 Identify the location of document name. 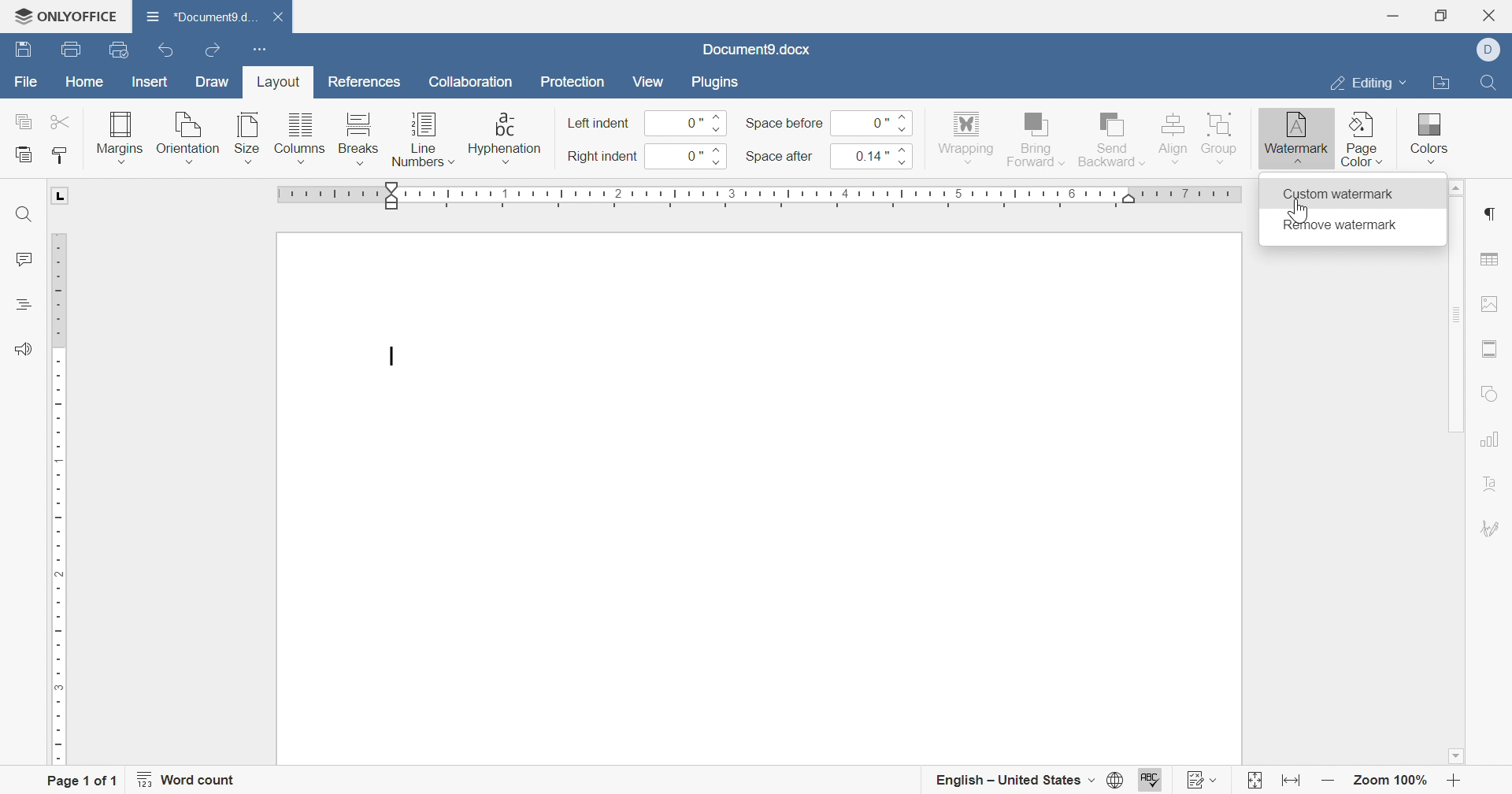
(198, 16).